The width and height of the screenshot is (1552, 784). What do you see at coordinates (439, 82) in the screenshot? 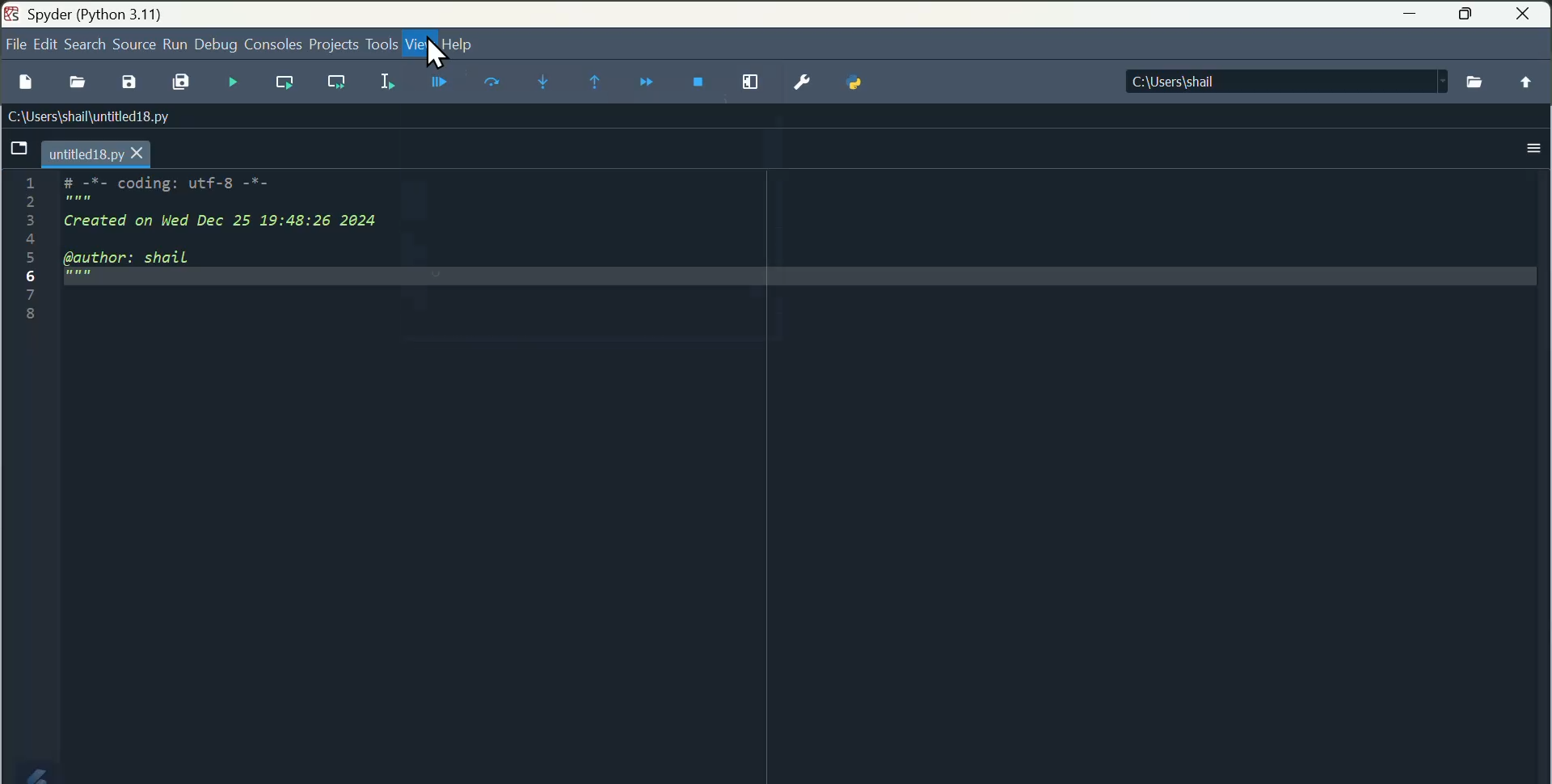
I see `Debug file` at bounding box center [439, 82].